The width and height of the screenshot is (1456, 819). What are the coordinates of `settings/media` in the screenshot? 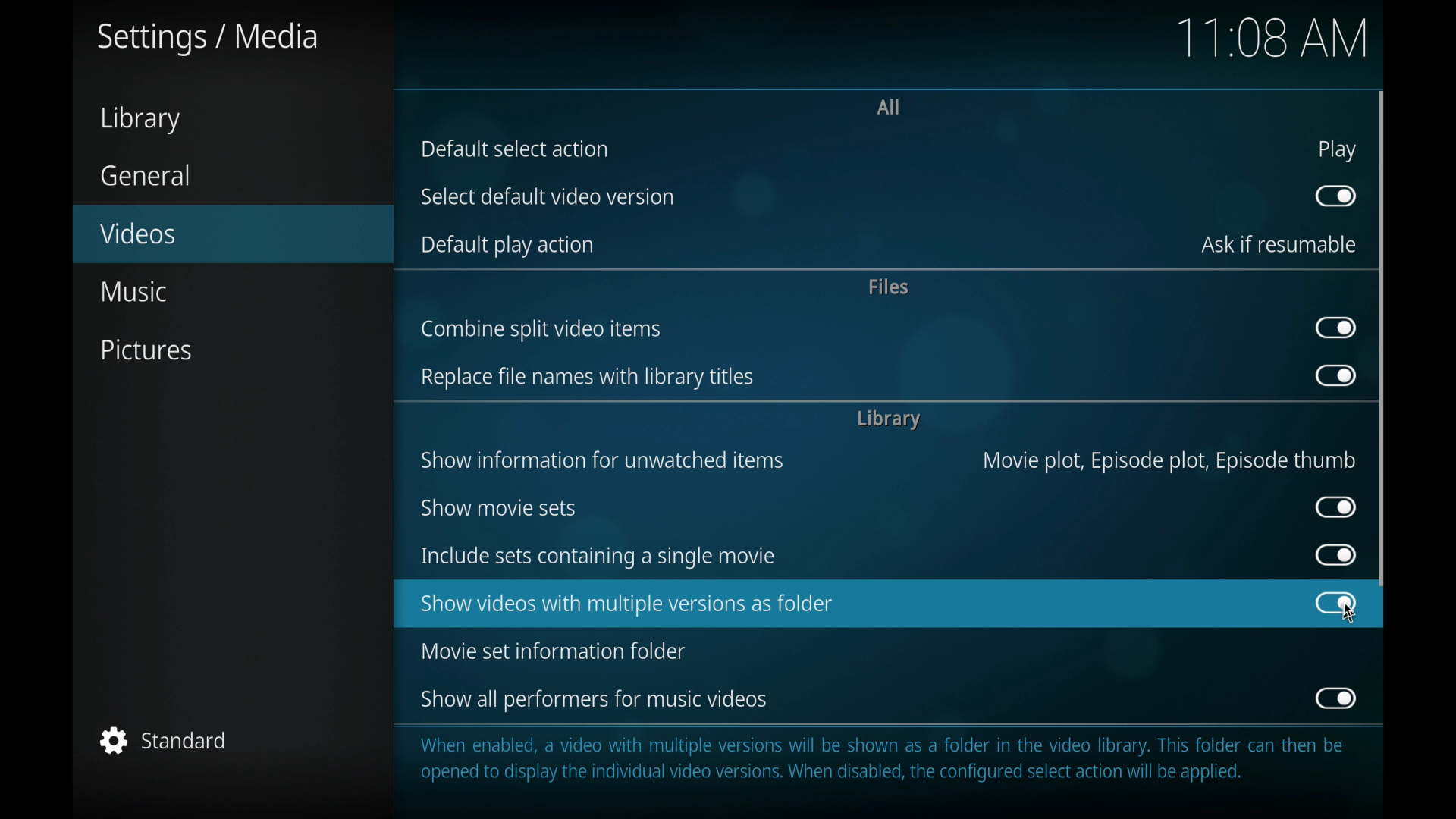 It's located at (208, 39).